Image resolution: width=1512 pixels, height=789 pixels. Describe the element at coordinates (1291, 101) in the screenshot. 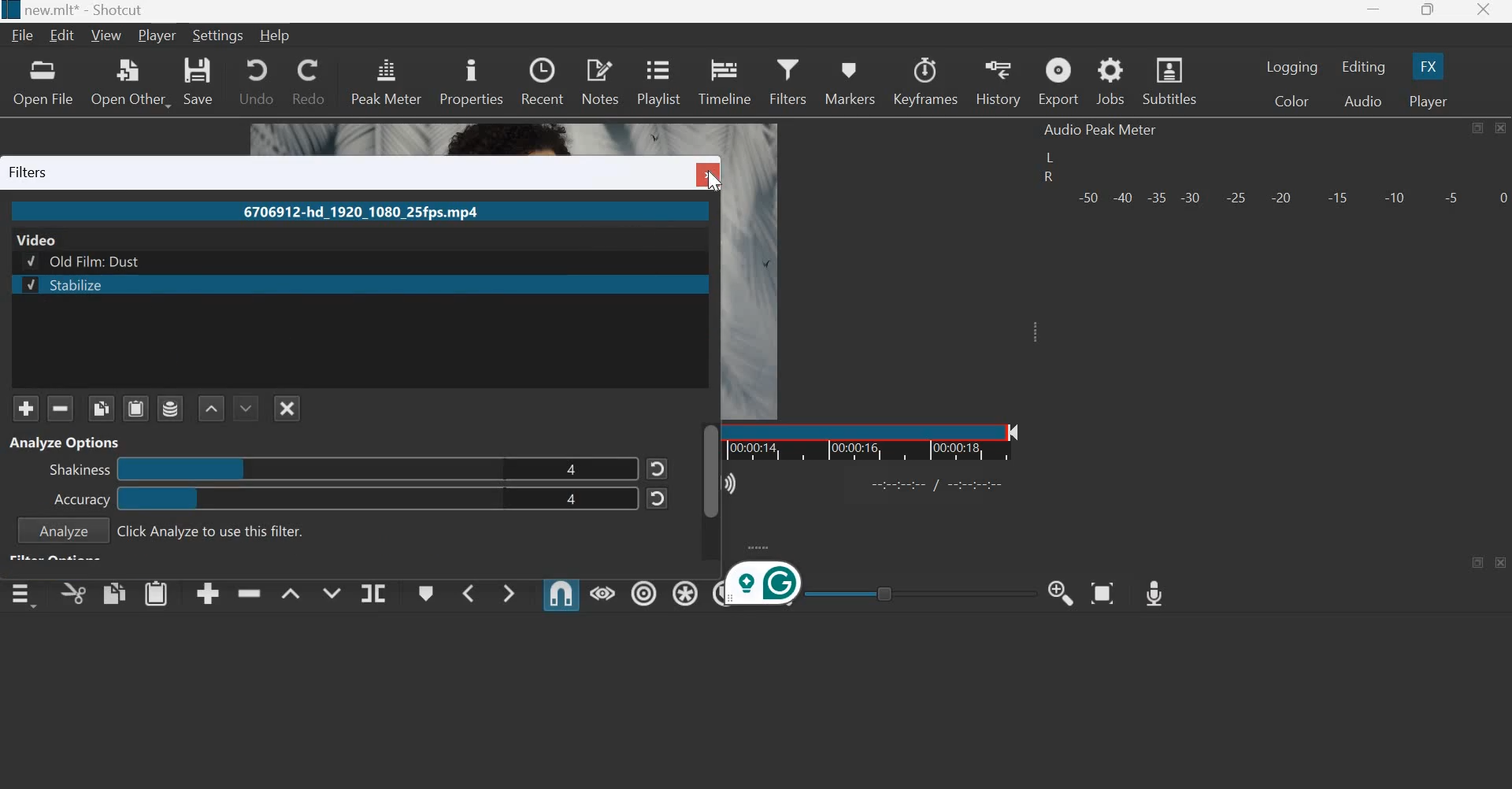

I see `Color` at that location.